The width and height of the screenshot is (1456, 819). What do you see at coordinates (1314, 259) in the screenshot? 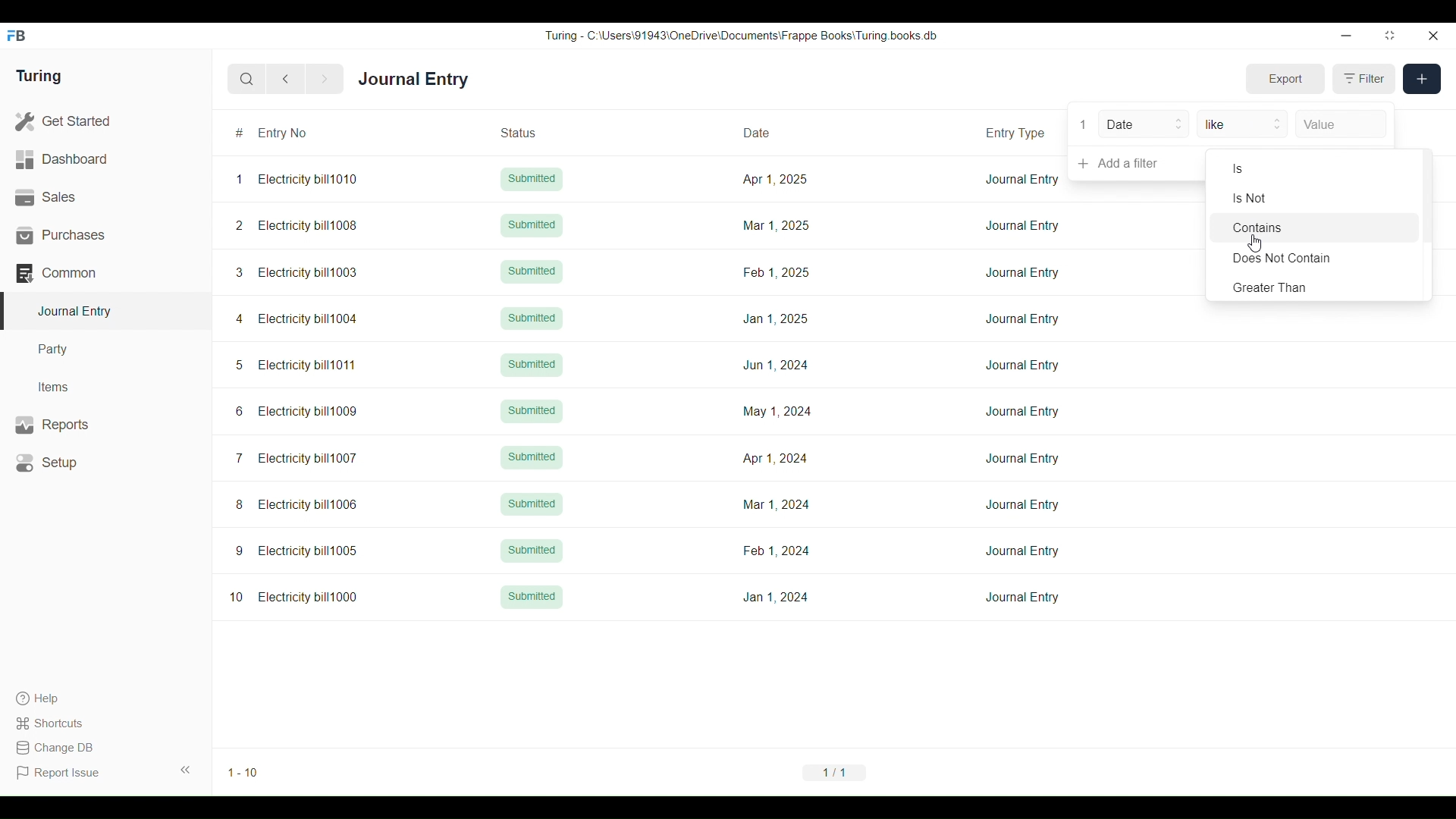
I see `Does Not Contain` at bounding box center [1314, 259].